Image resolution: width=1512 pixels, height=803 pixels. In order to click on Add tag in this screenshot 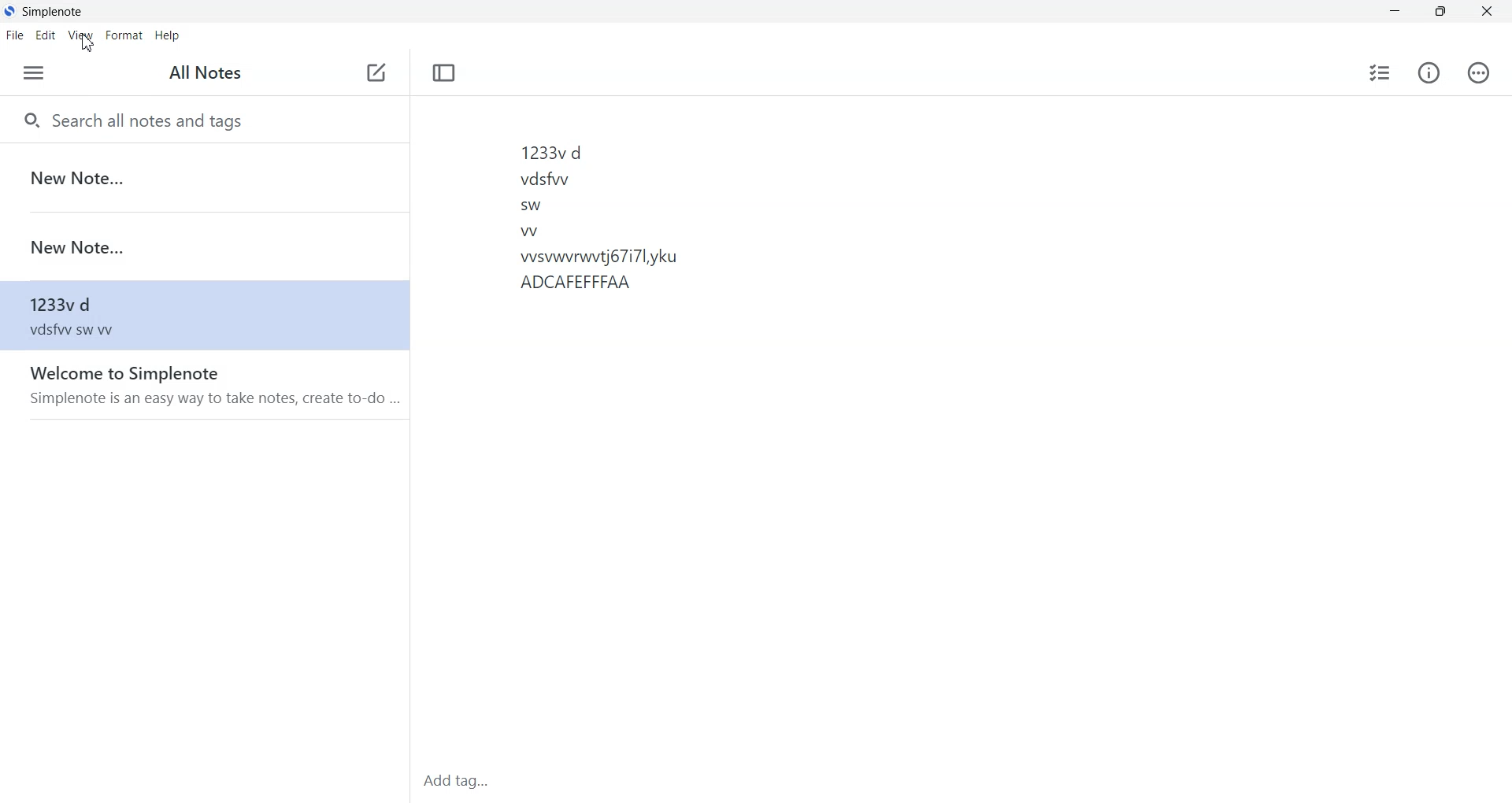, I will do `click(506, 781)`.